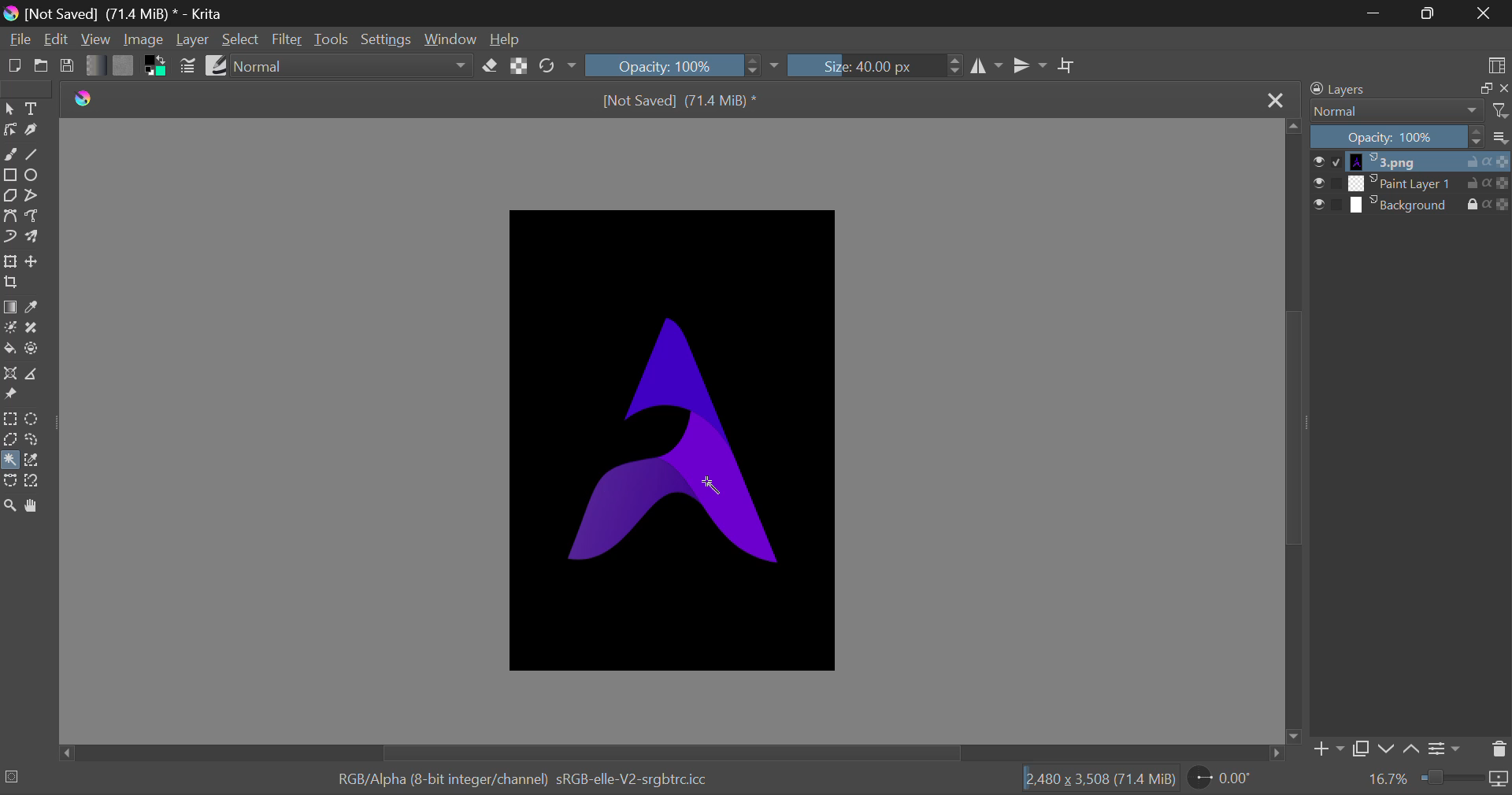 Image resolution: width=1512 pixels, height=795 pixels. Describe the element at coordinates (1325, 205) in the screenshot. I see `checkbox` at that location.